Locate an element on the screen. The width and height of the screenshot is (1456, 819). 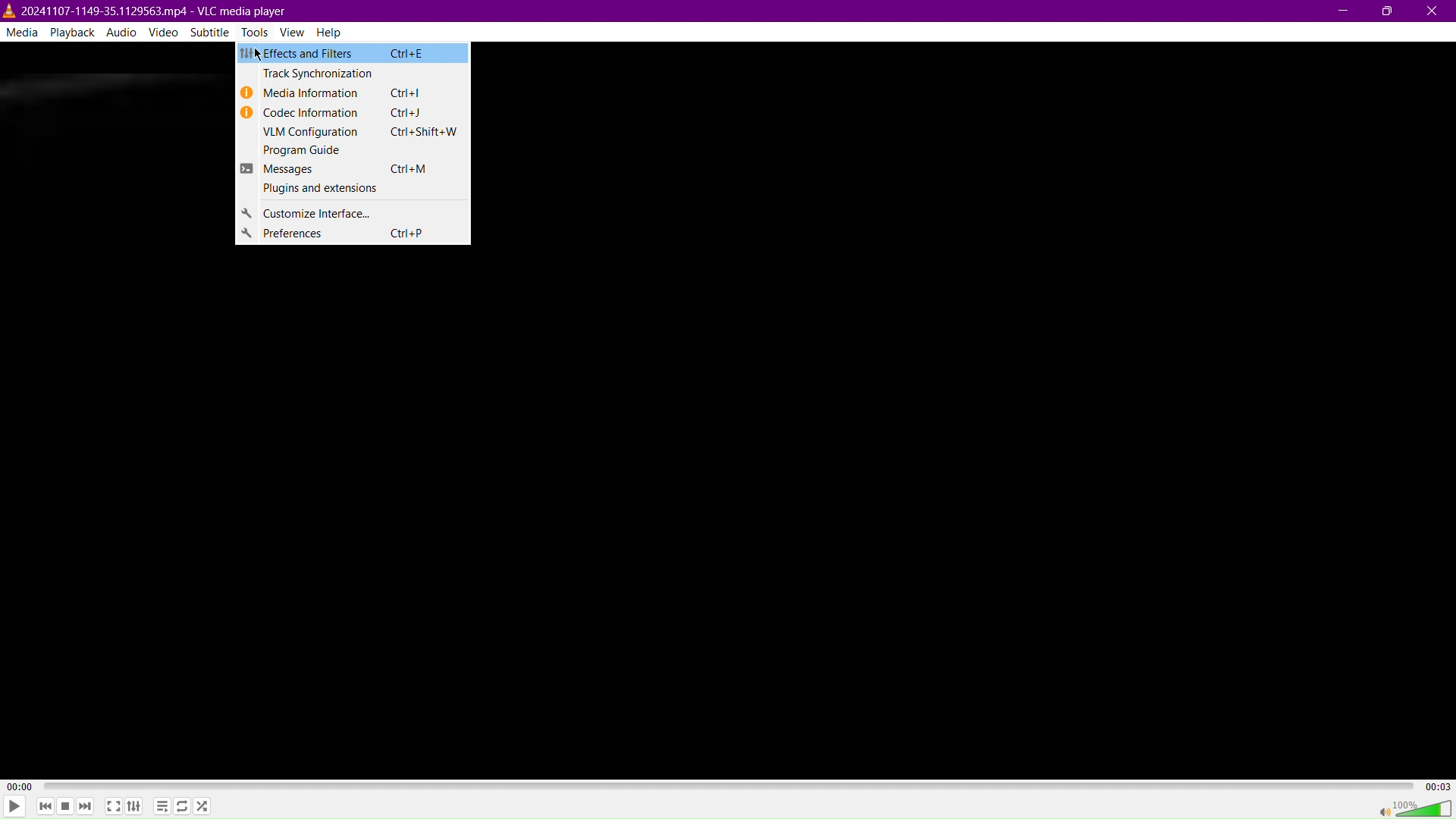
Play is located at coordinates (14, 806).